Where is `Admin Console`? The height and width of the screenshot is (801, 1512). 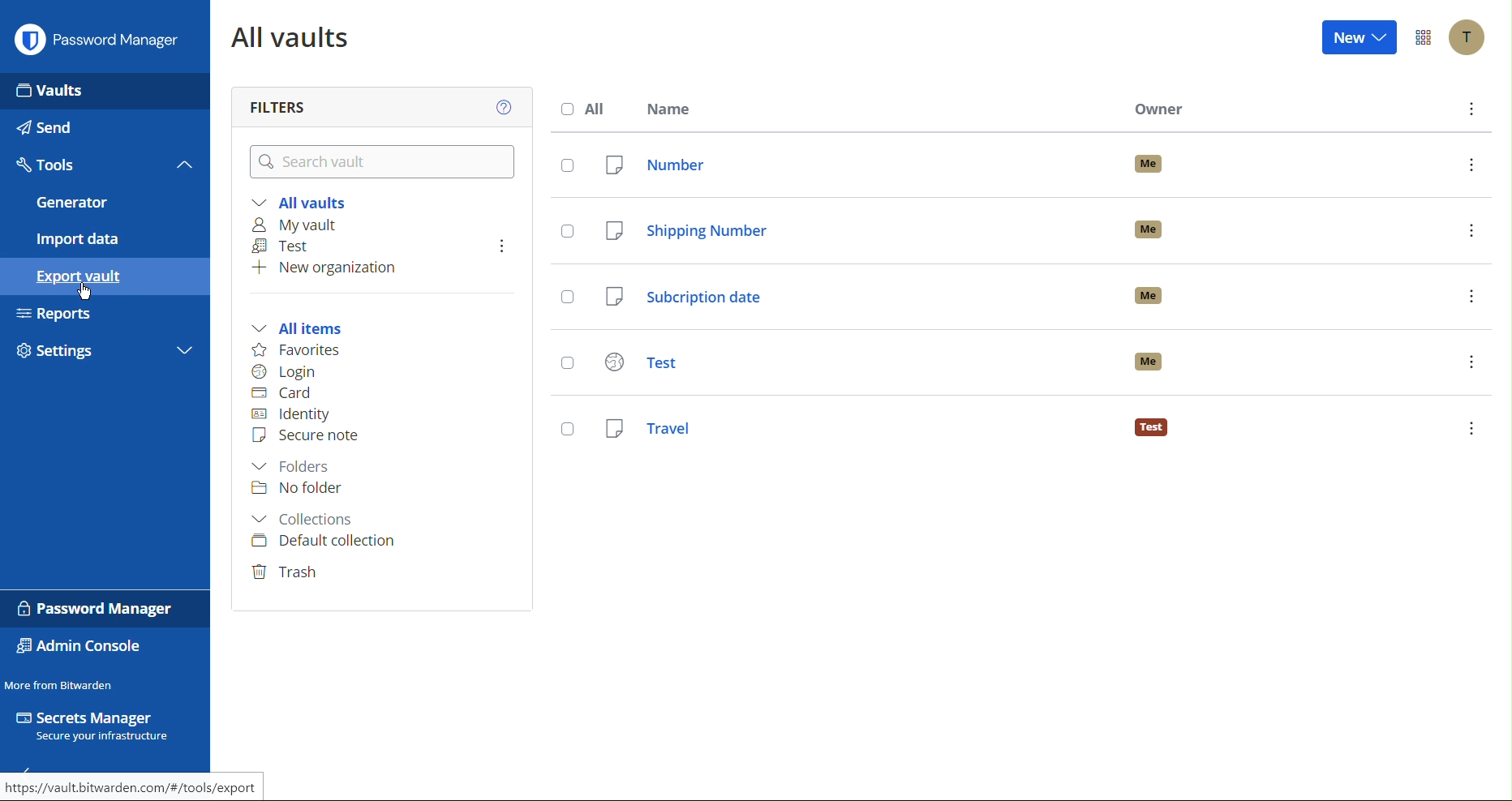
Admin Console is located at coordinates (85, 647).